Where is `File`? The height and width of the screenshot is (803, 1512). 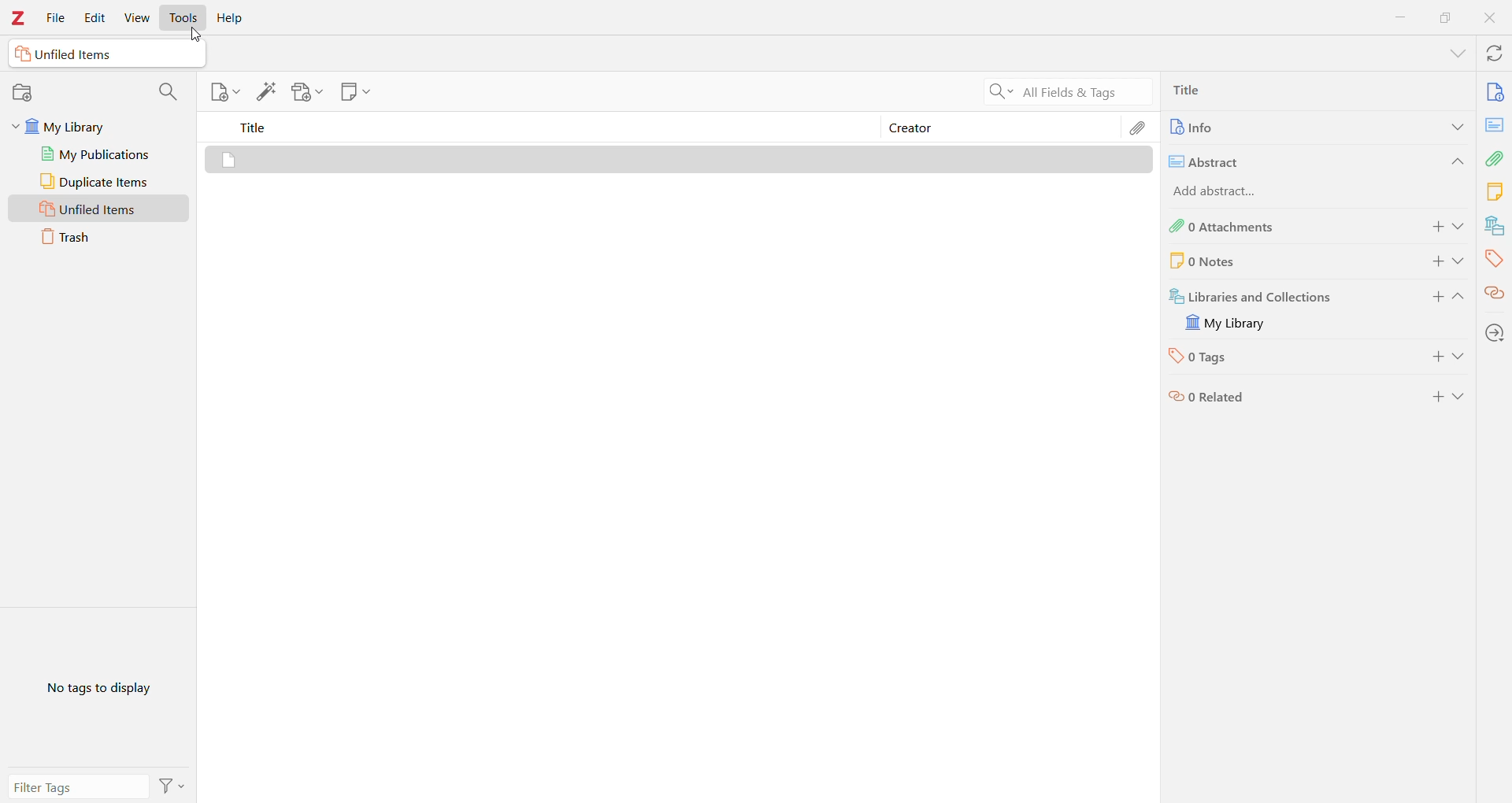
File is located at coordinates (56, 18).